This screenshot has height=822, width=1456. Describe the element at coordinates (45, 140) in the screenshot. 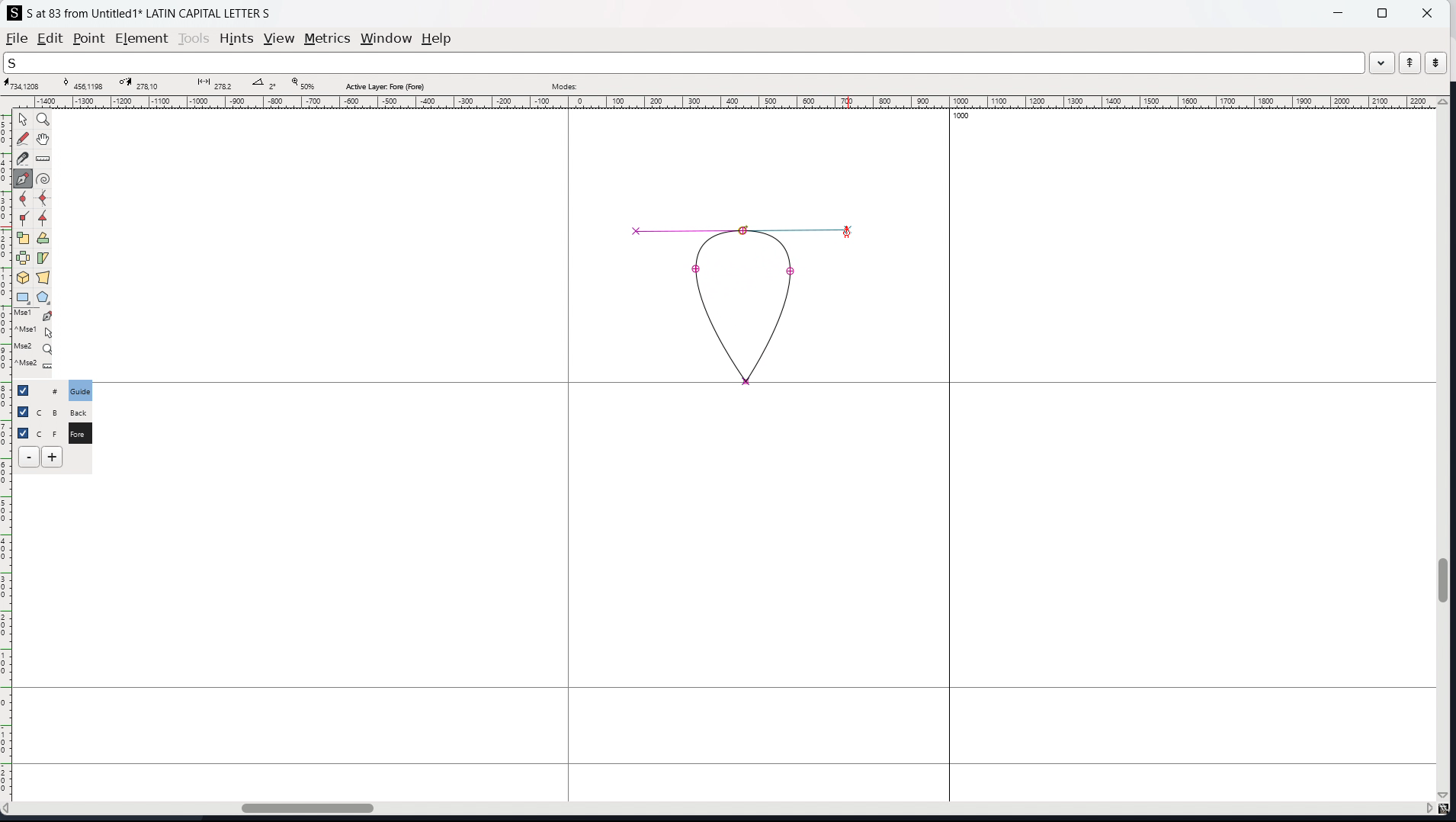

I see `scroll by hand` at that location.